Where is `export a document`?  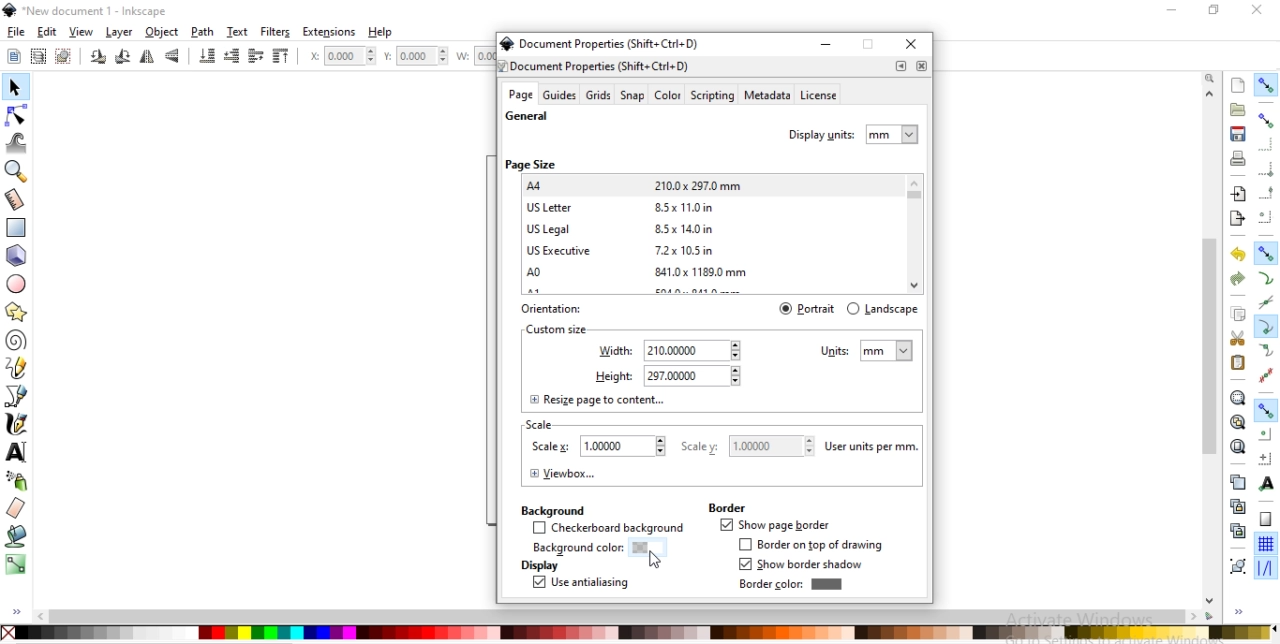
export a document is located at coordinates (1237, 219).